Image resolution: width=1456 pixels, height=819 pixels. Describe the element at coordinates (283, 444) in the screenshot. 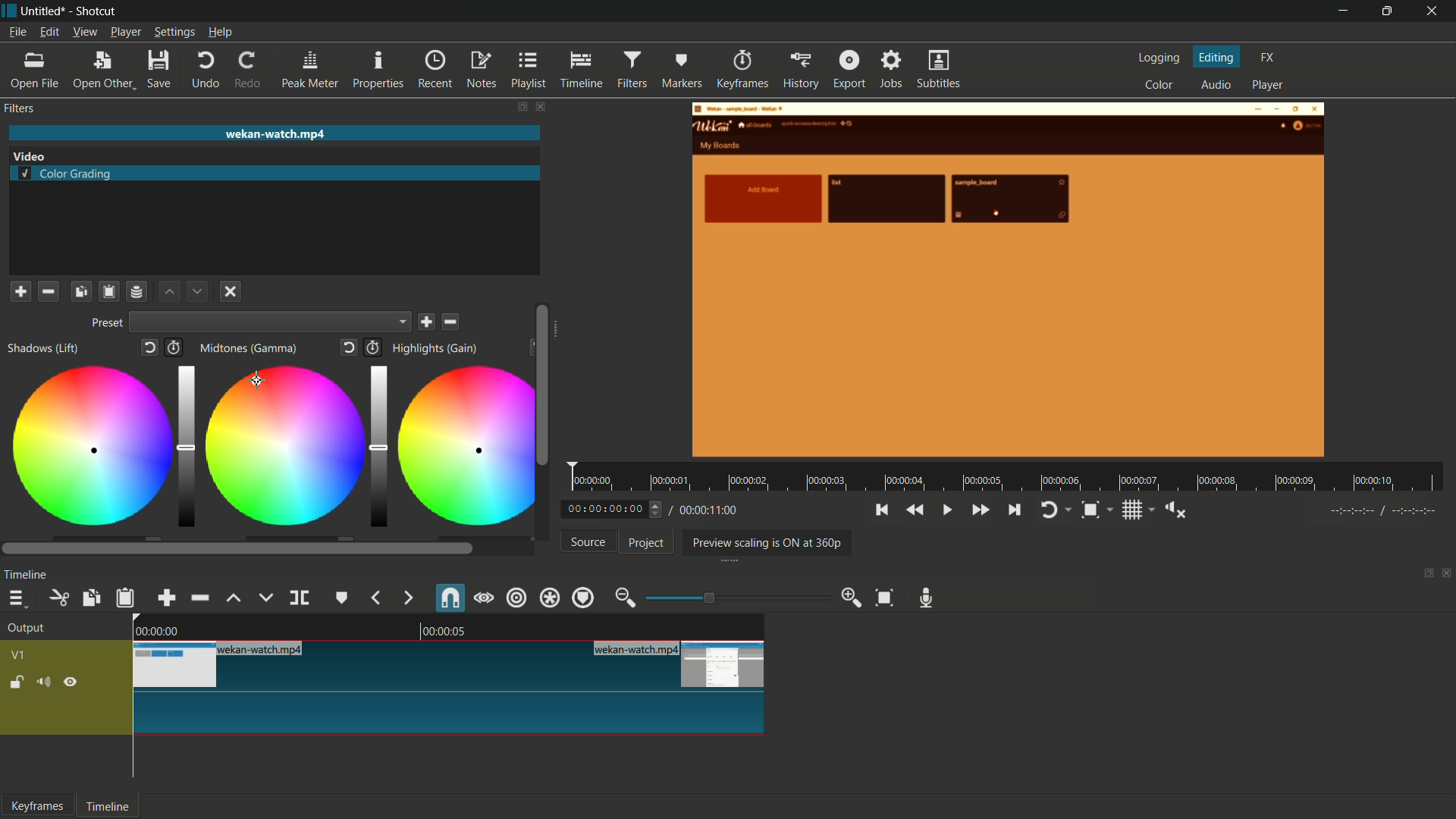

I see `color adjustment` at that location.